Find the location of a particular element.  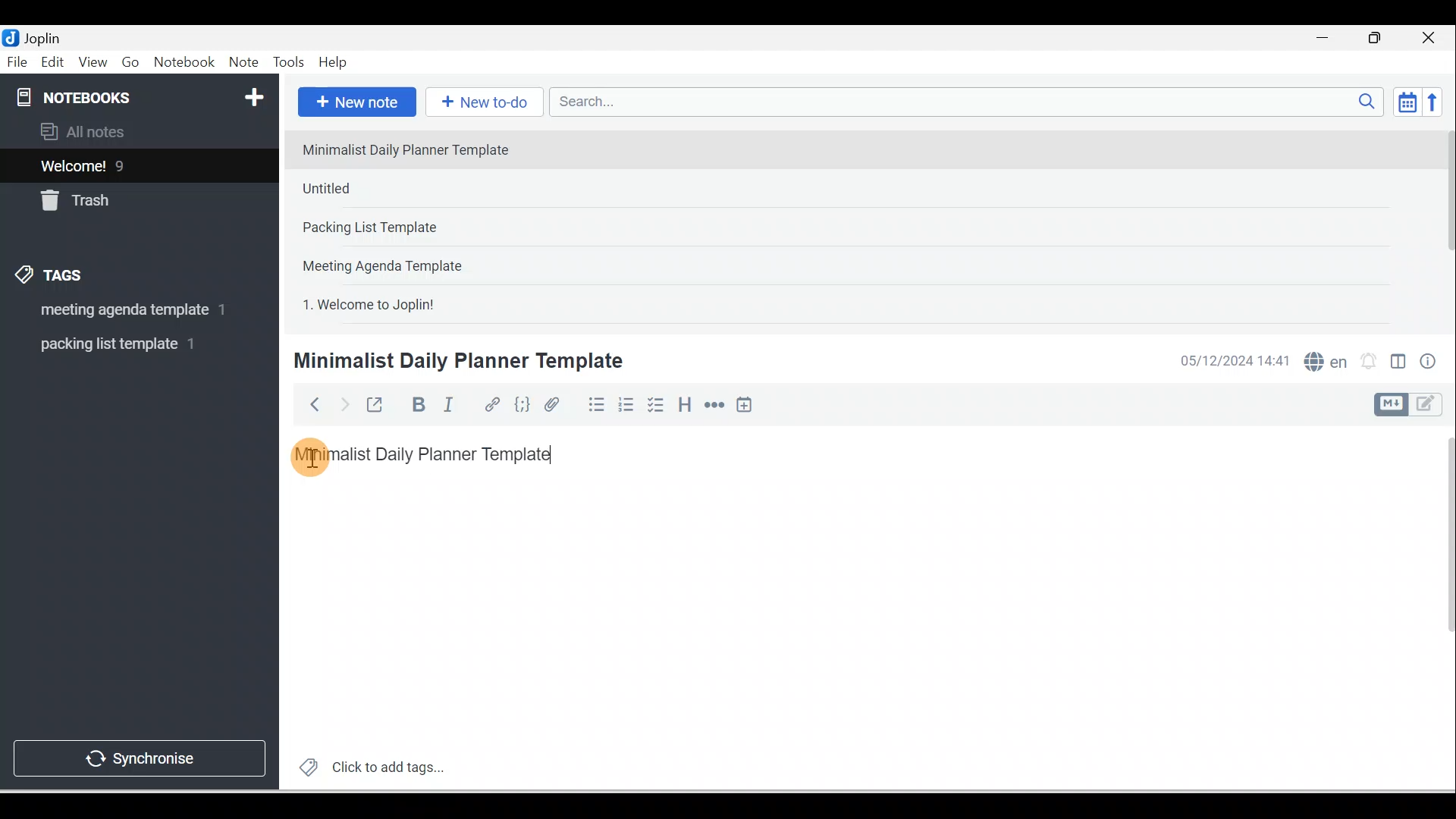

View is located at coordinates (93, 63).